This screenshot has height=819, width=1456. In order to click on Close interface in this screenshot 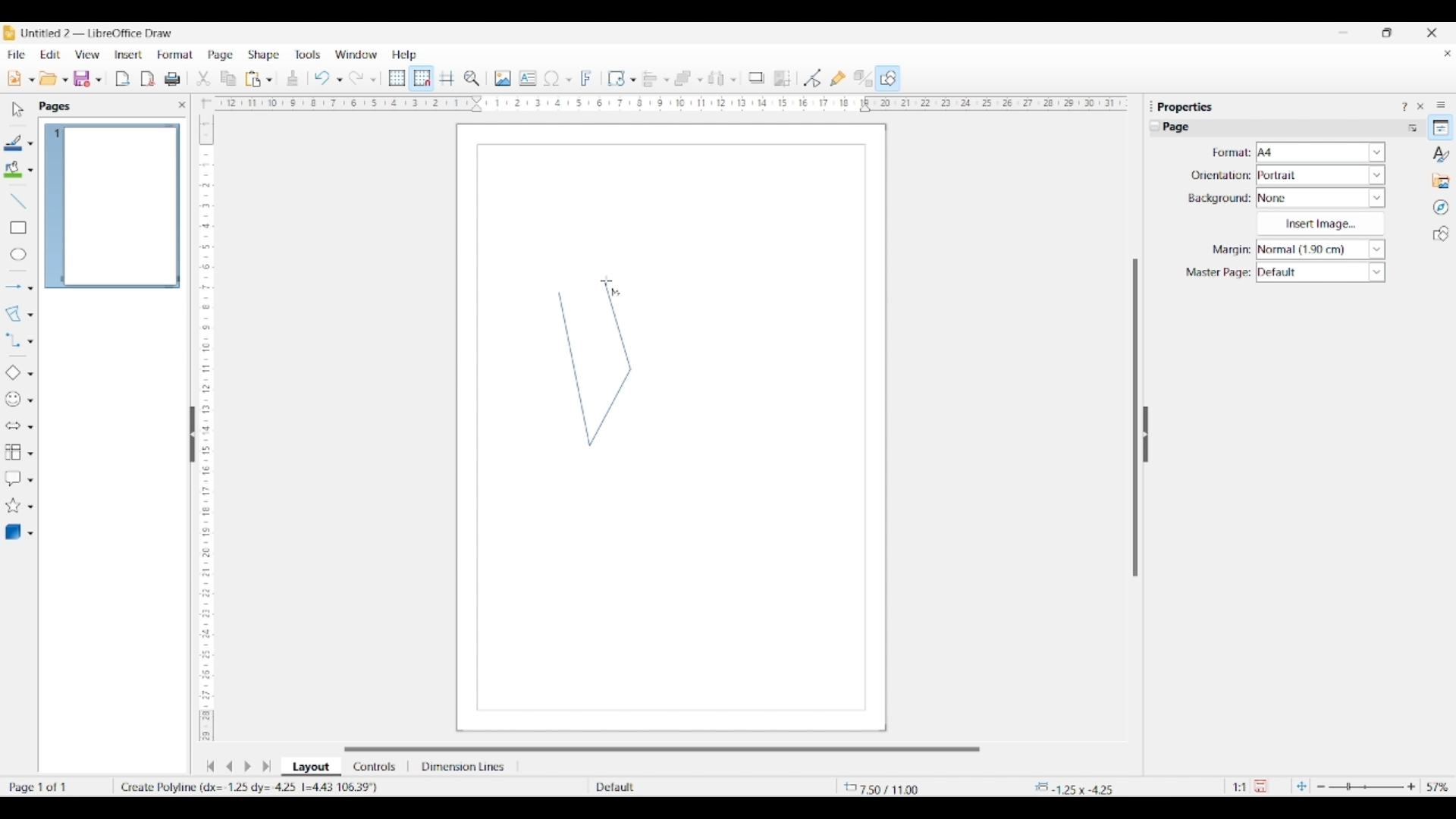, I will do `click(1432, 33)`.